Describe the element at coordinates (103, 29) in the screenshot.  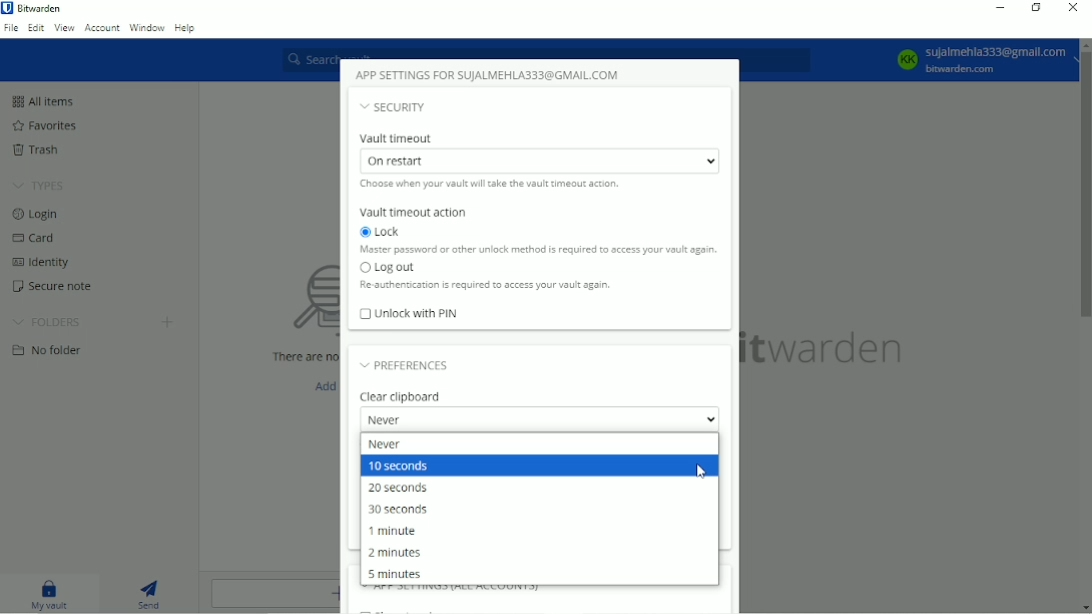
I see `Account` at that location.